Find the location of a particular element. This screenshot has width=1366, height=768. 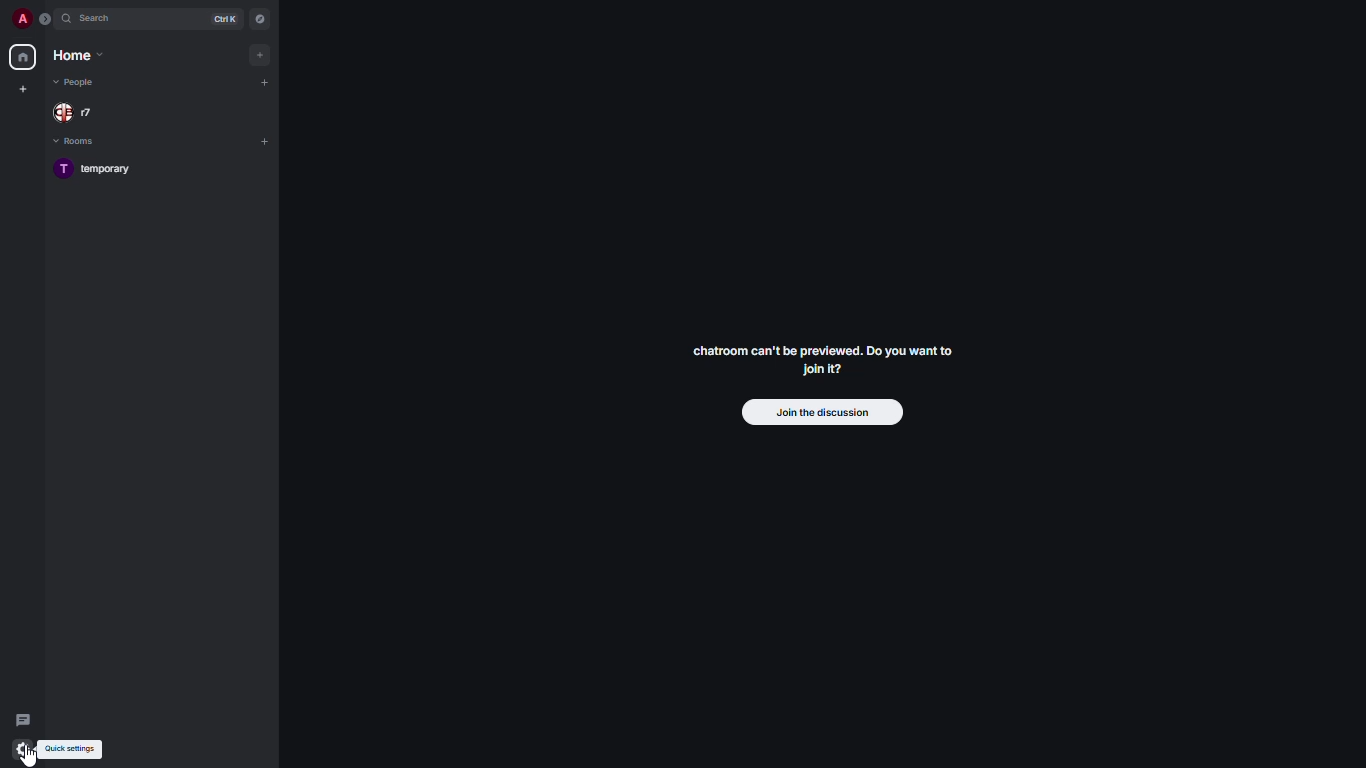

quick settings is located at coordinates (71, 750).